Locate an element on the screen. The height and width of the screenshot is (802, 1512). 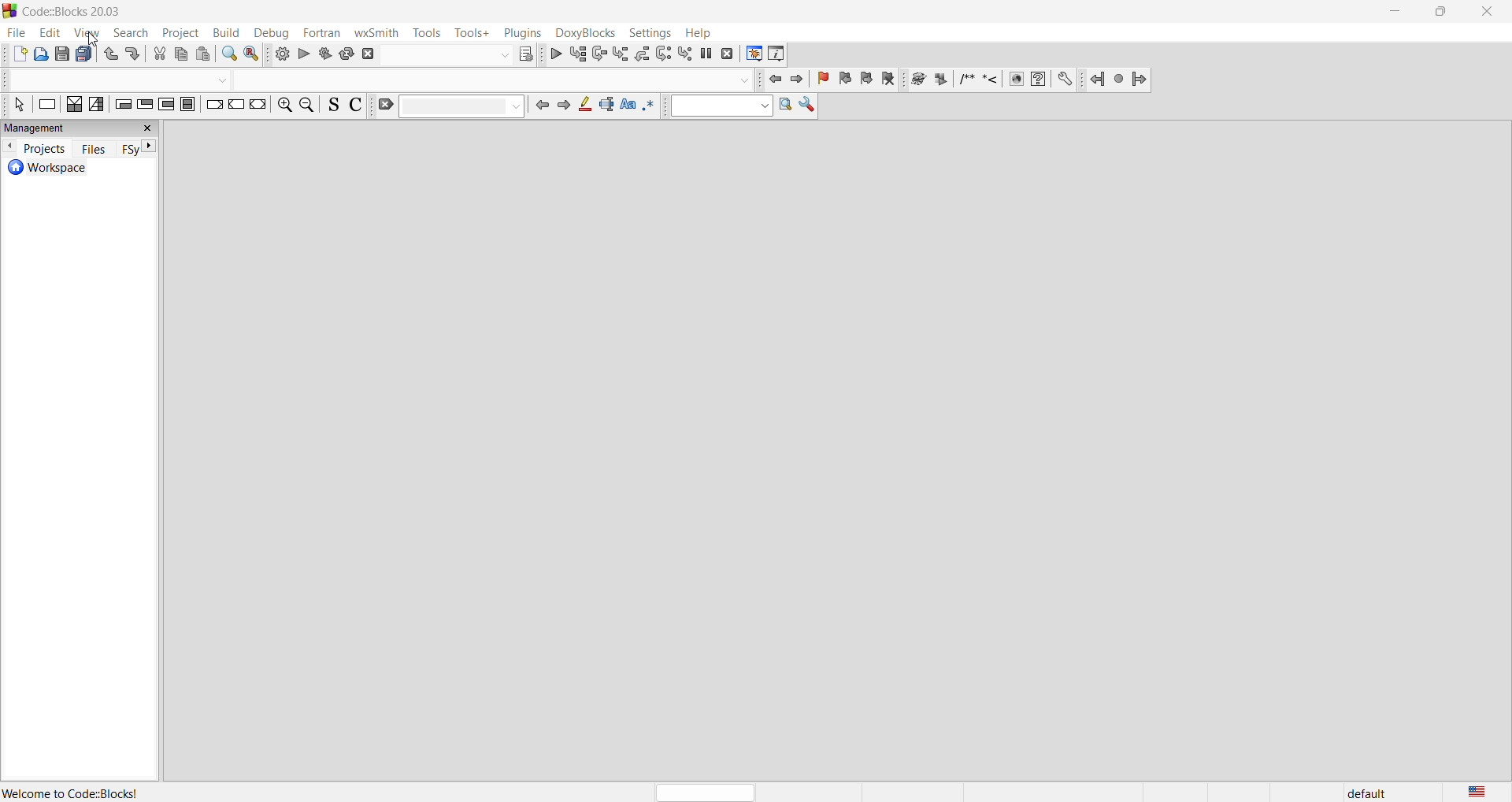
redo is located at coordinates (135, 53).